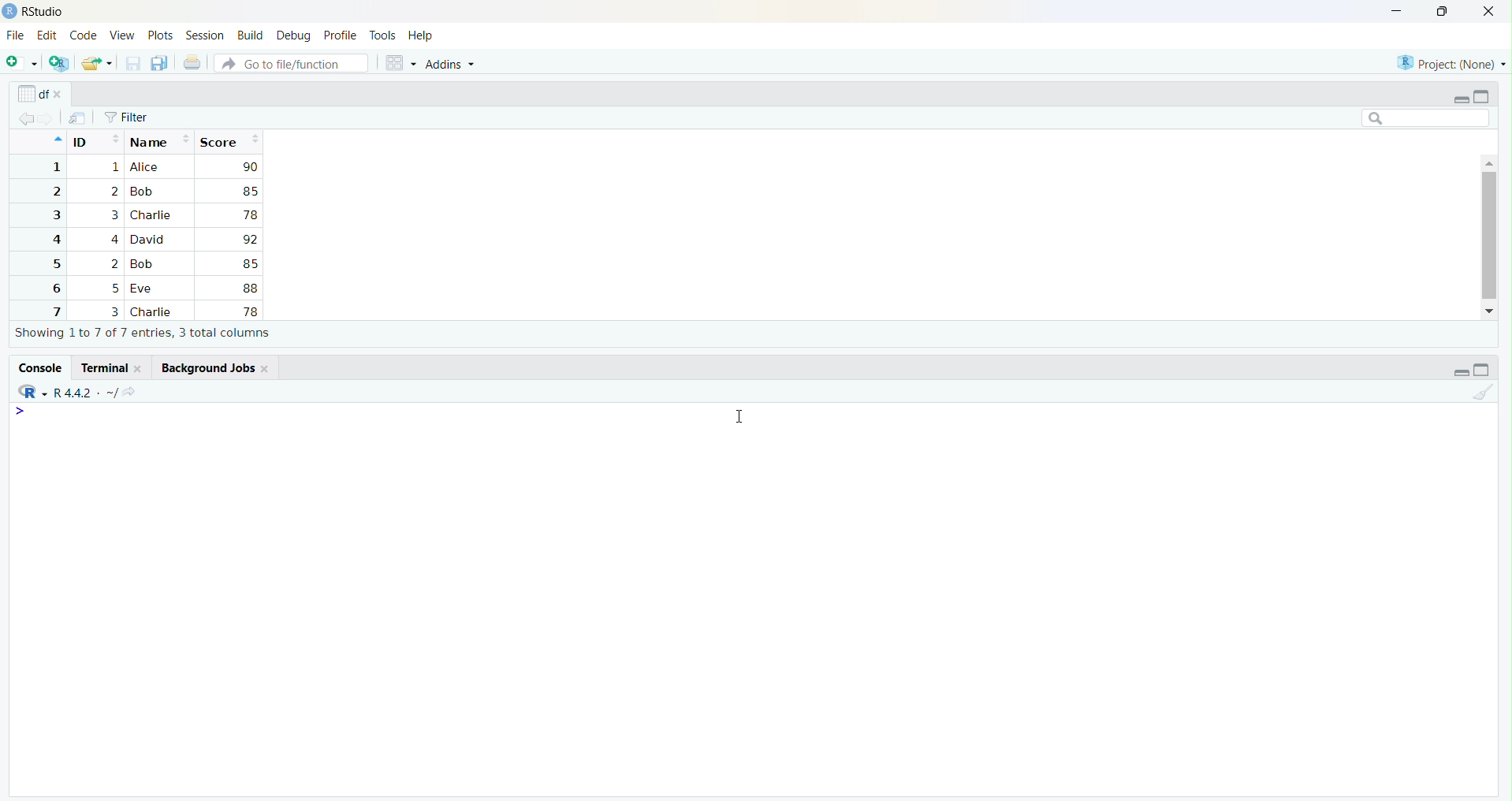  What do you see at coordinates (249, 191) in the screenshot?
I see `85` at bounding box center [249, 191].